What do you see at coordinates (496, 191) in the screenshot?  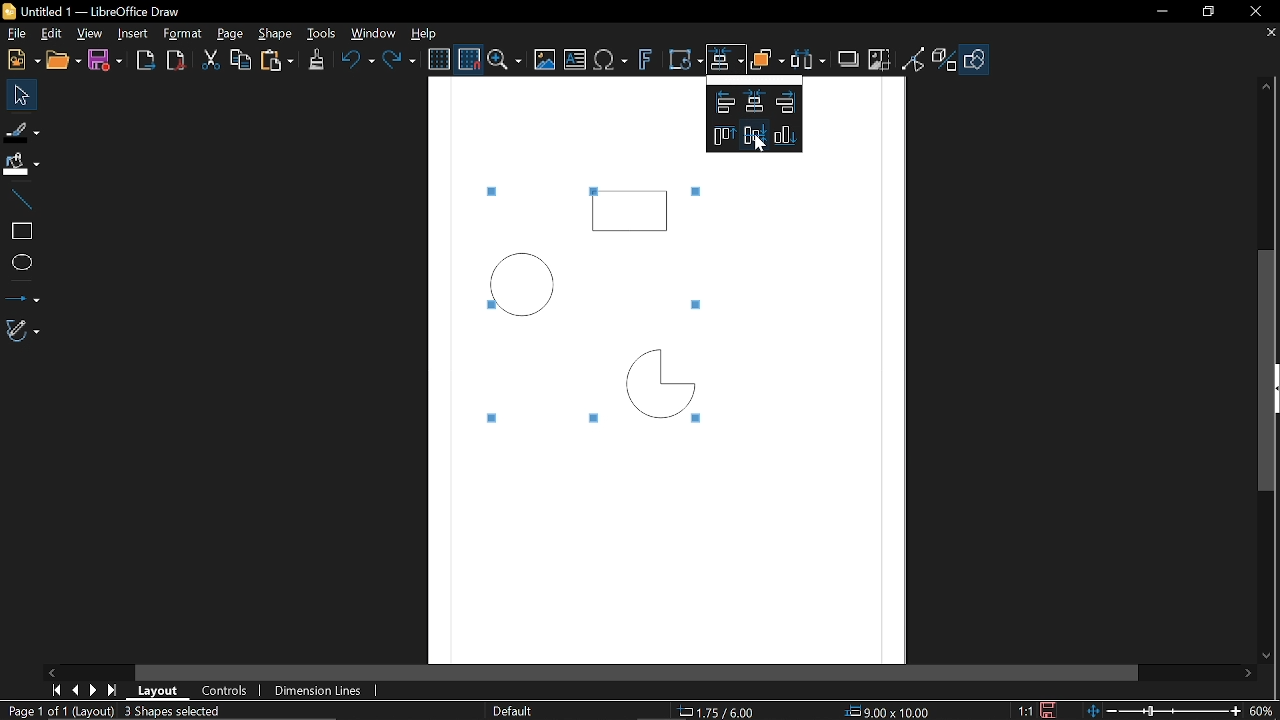 I see `Tiny square marked around the selected objects` at bounding box center [496, 191].